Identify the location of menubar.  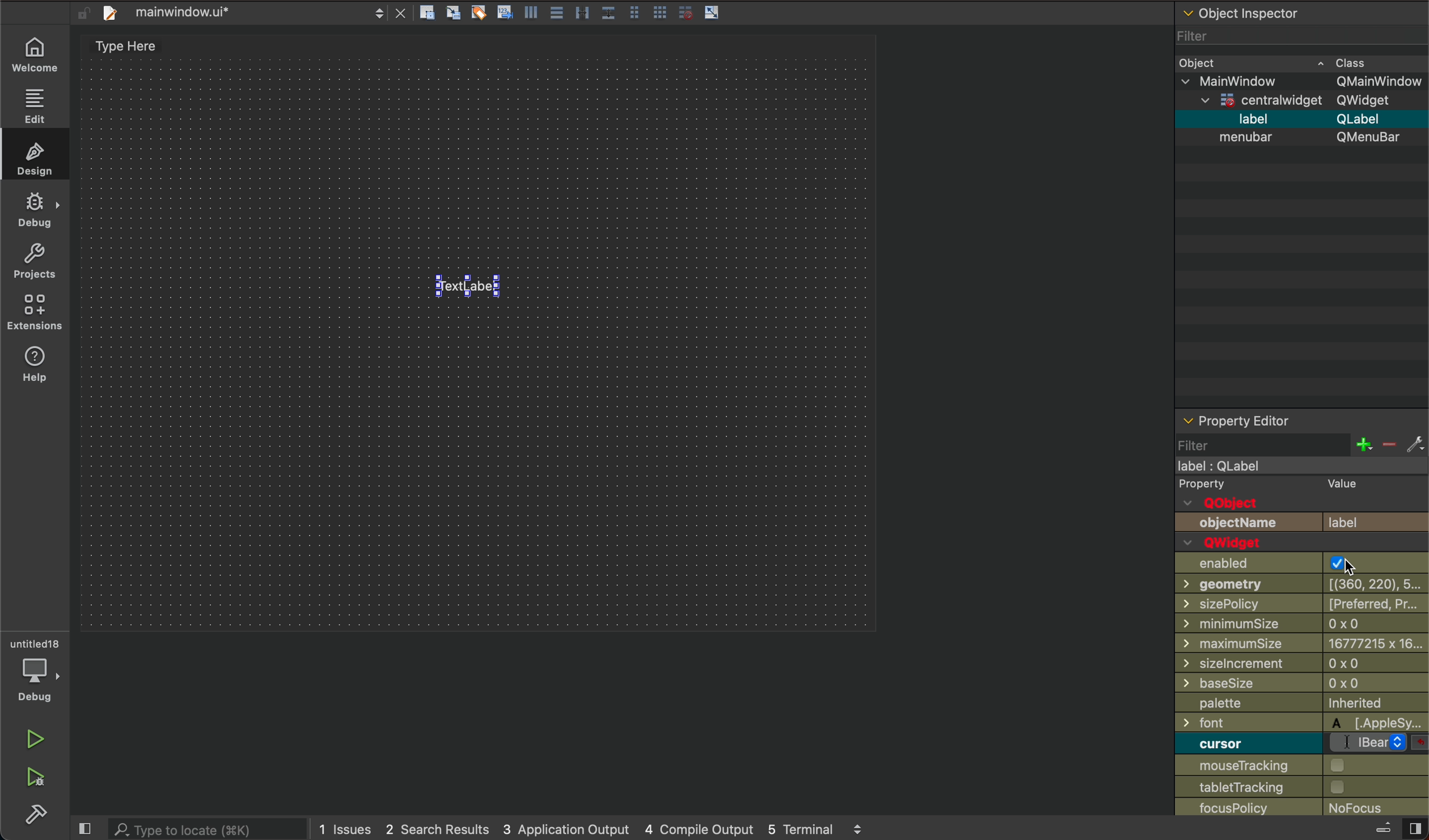
(1244, 138).